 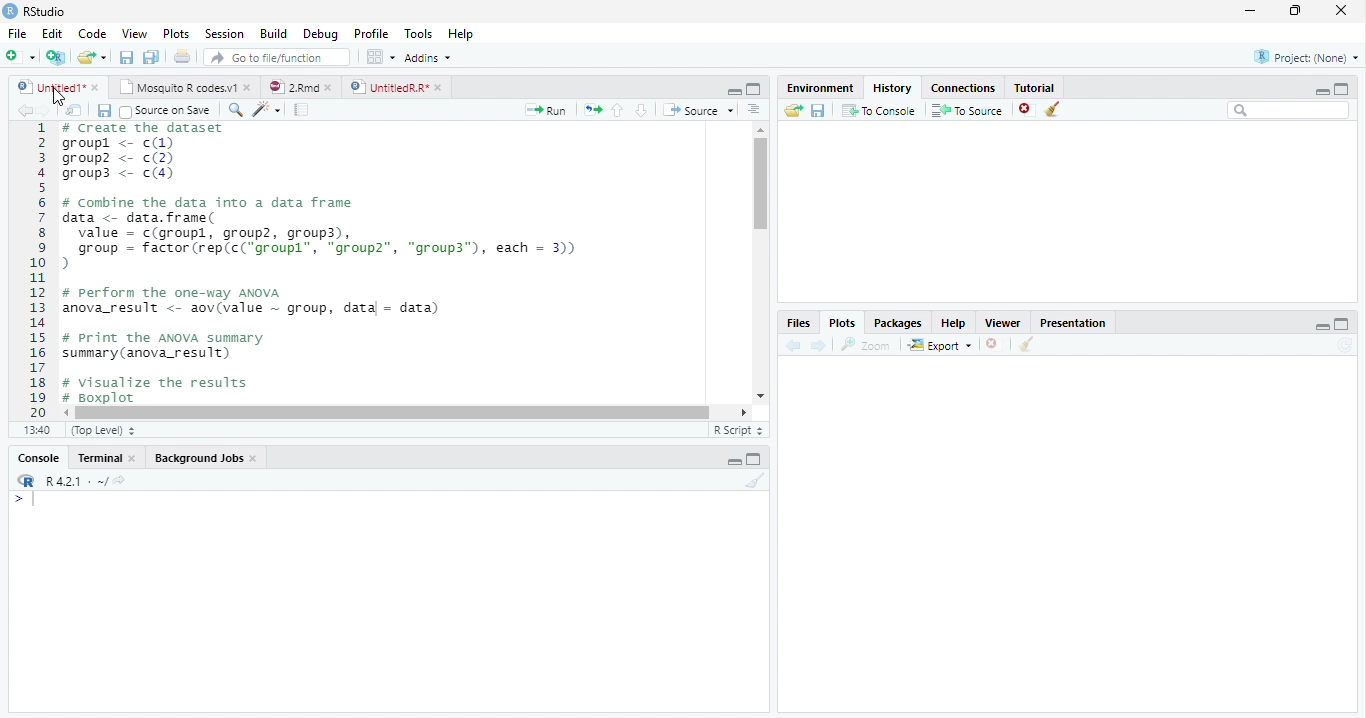 I want to click on Minimize, so click(x=734, y=463).